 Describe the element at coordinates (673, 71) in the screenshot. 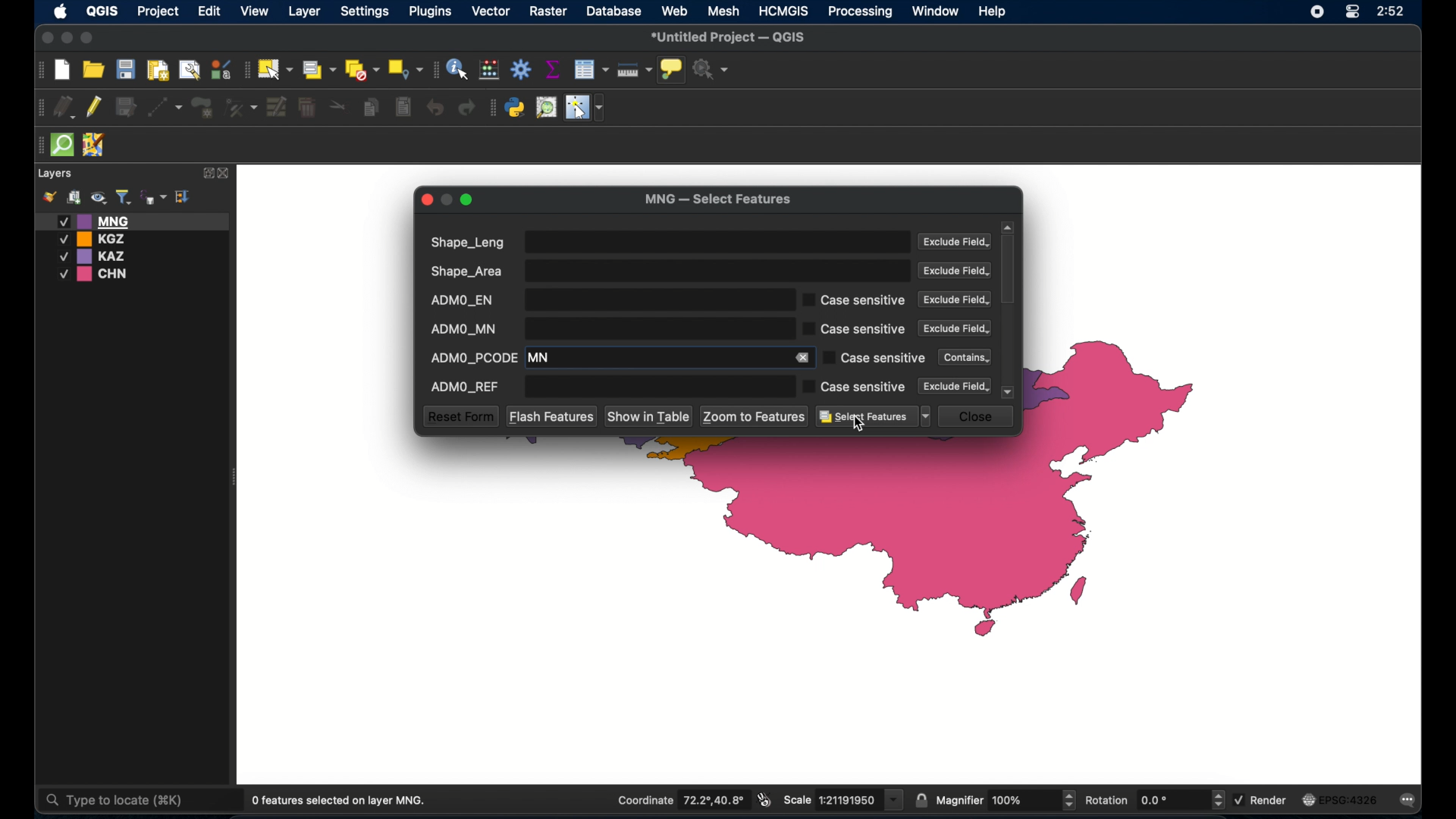

I see `show map tips` at that location.